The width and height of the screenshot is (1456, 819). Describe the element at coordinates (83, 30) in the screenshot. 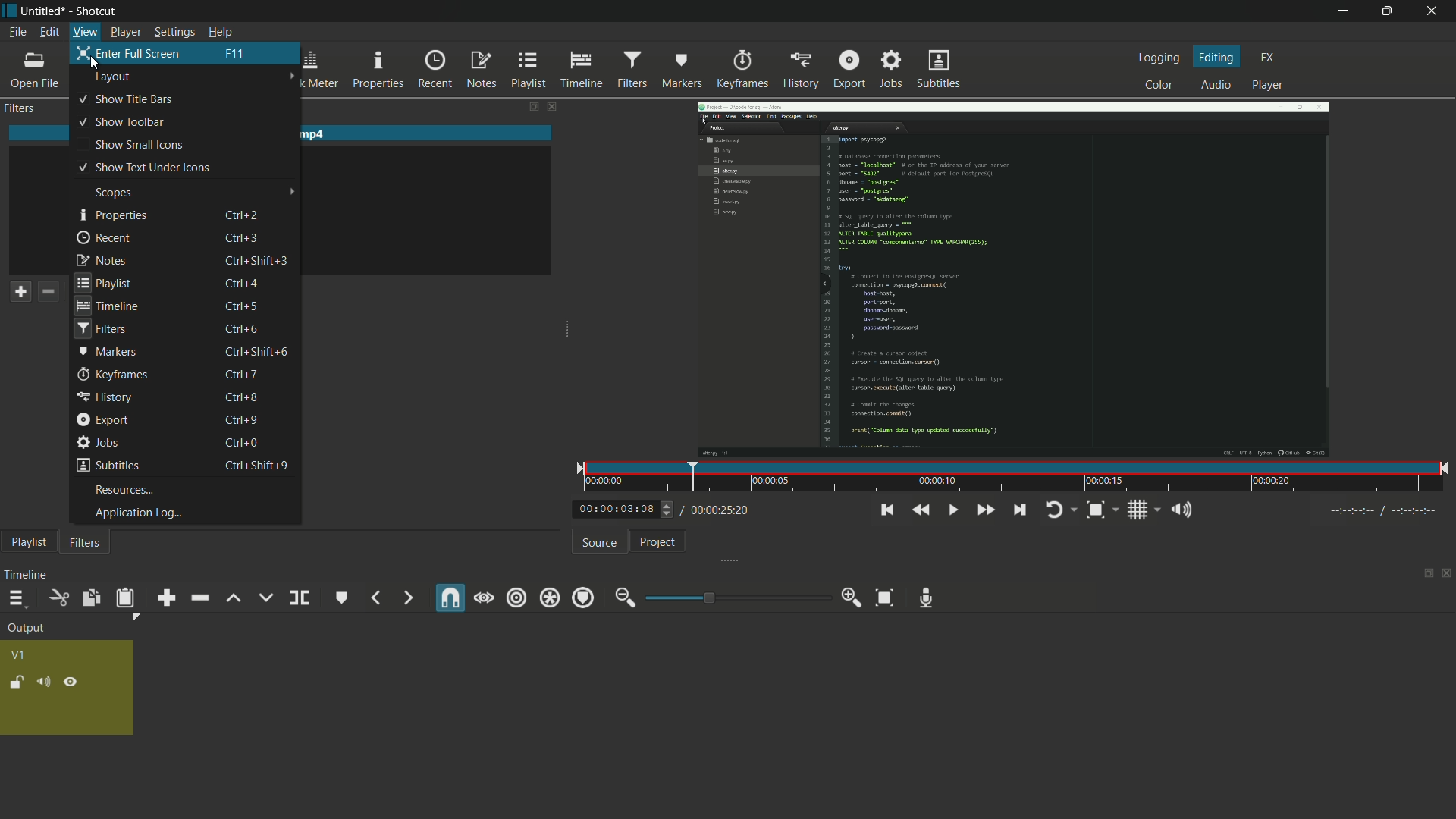

I see `view` at that location.